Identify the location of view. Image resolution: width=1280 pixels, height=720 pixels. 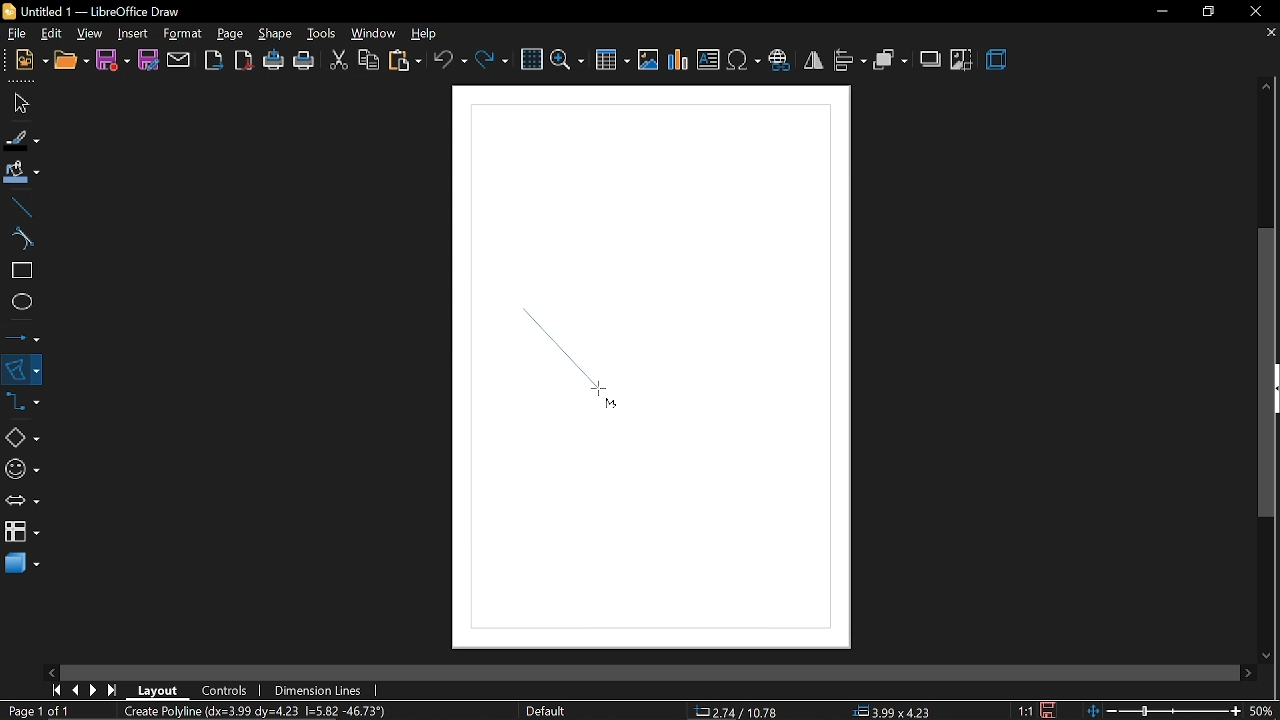
(90, 32).